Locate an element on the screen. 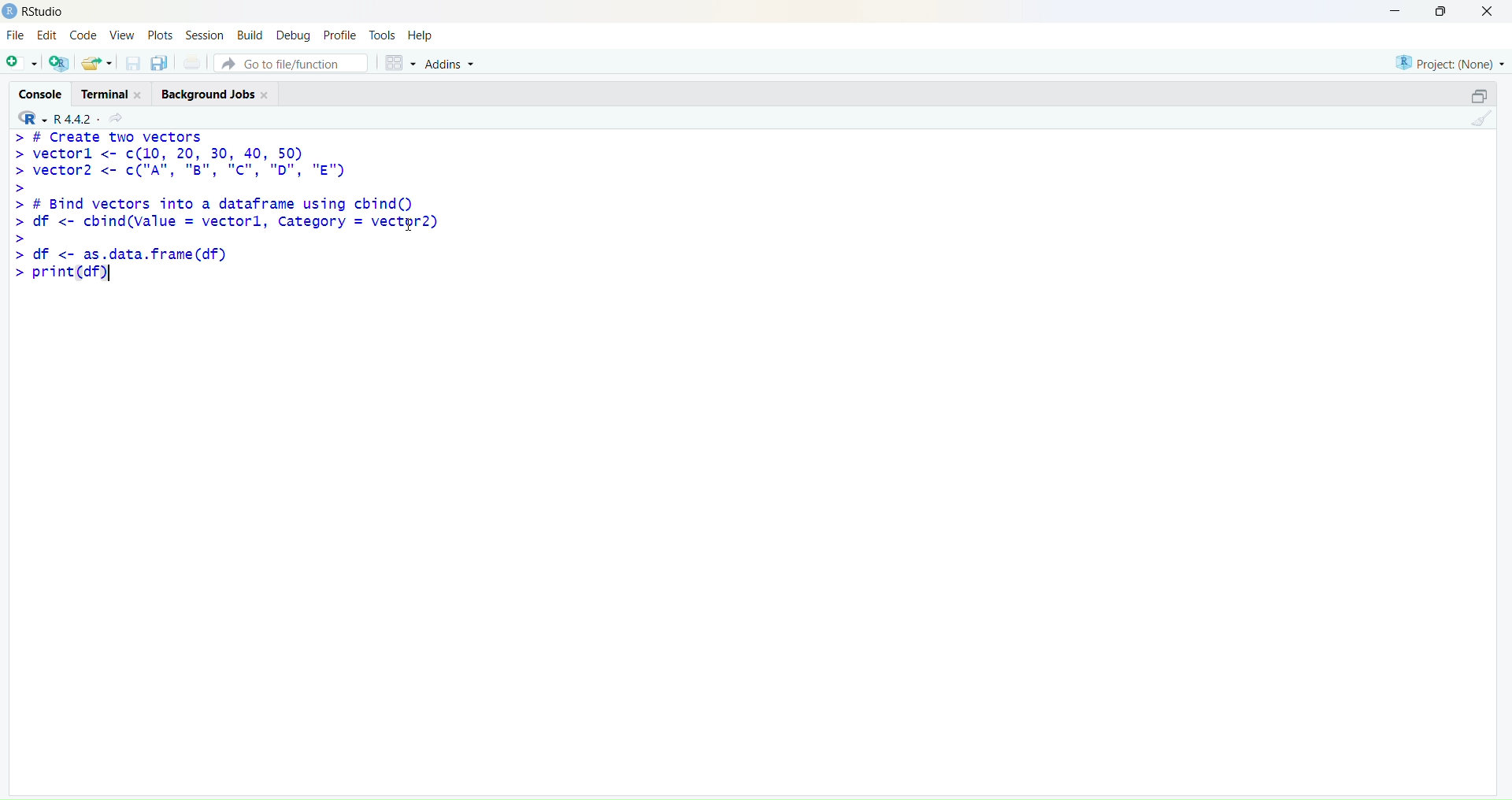  minimize is located at coordinates (1481, 97).